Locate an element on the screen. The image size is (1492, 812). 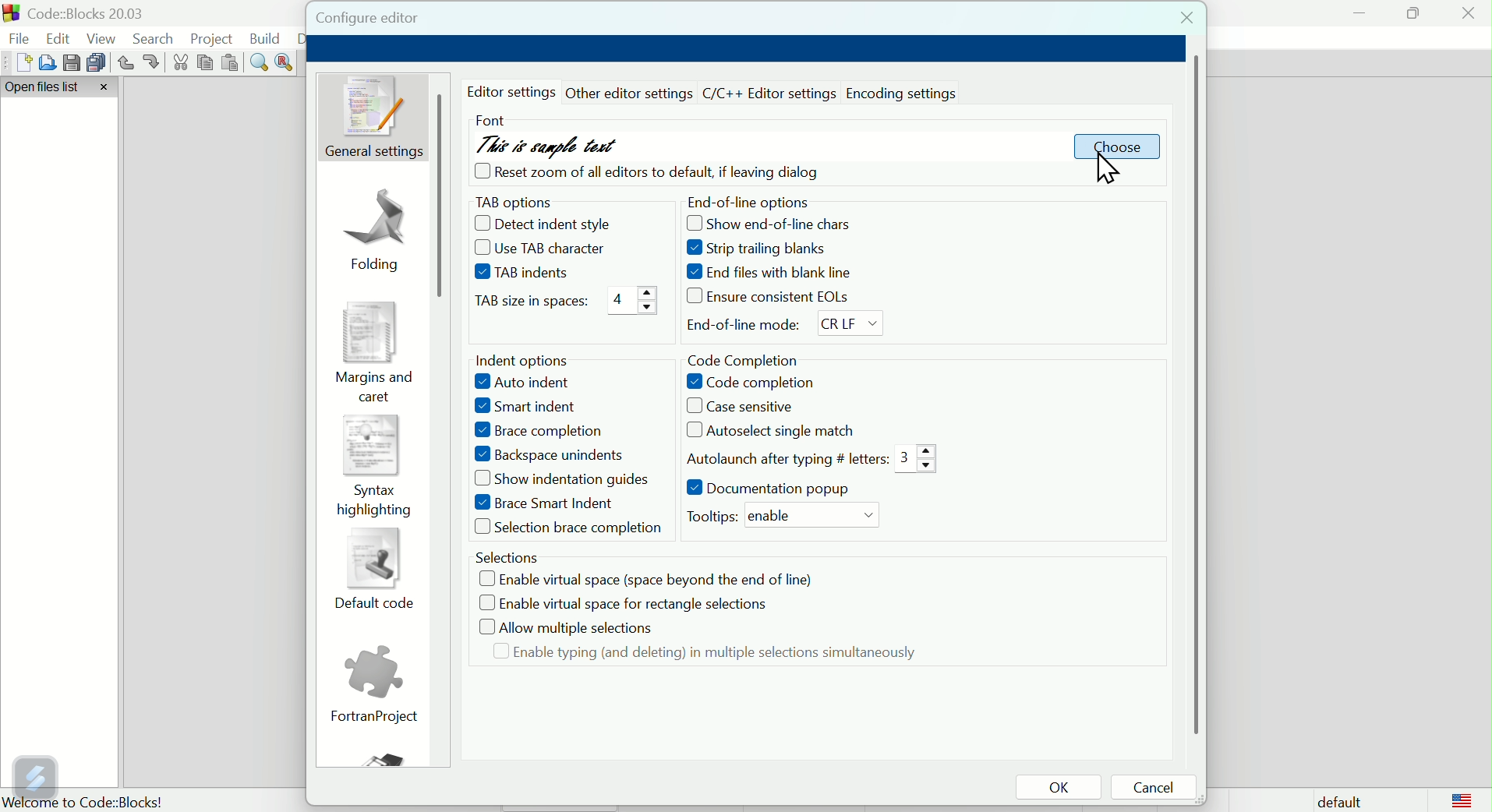
Paste is located at coordinates (232, 63).